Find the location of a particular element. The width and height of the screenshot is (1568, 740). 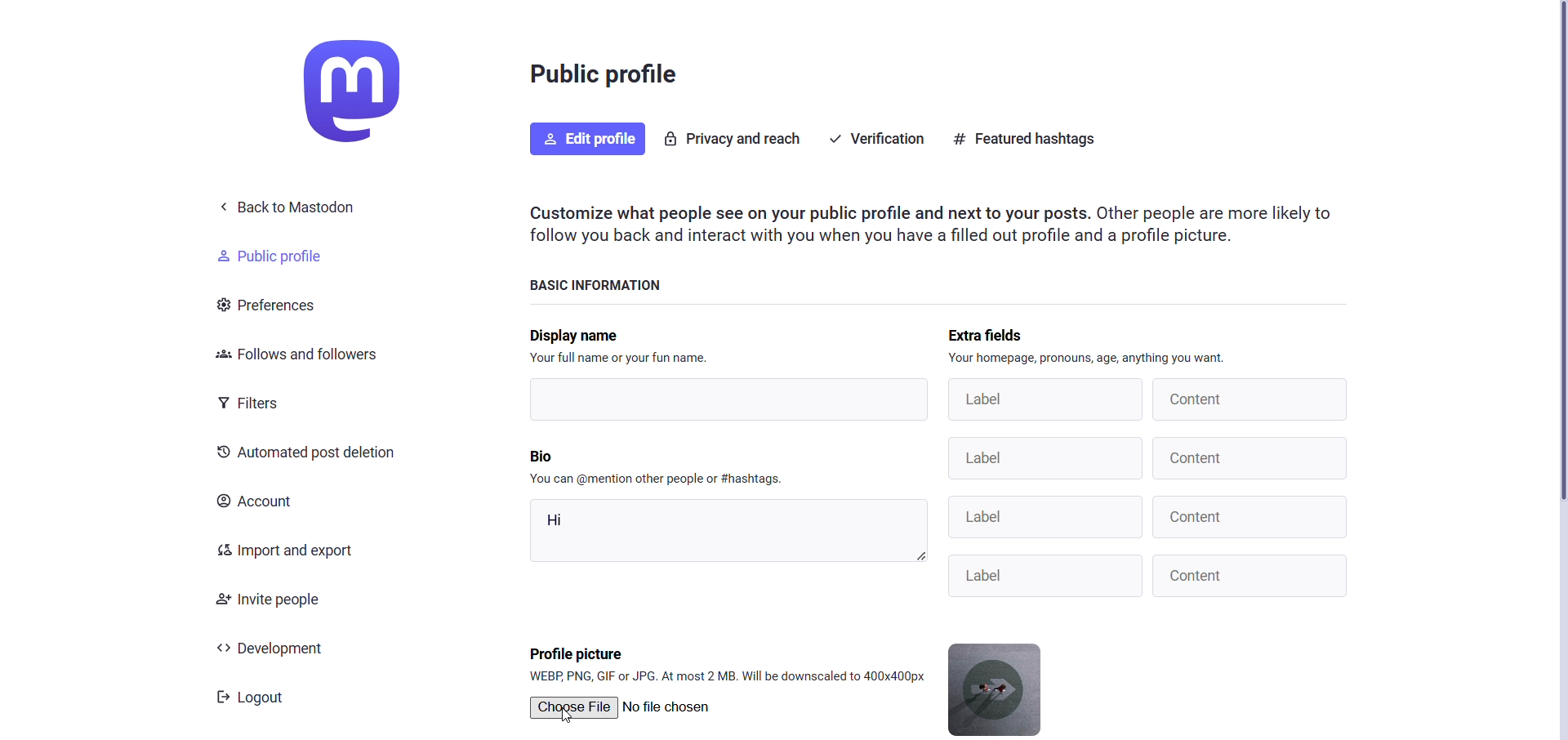

bio is located at coordinates (542, 452).